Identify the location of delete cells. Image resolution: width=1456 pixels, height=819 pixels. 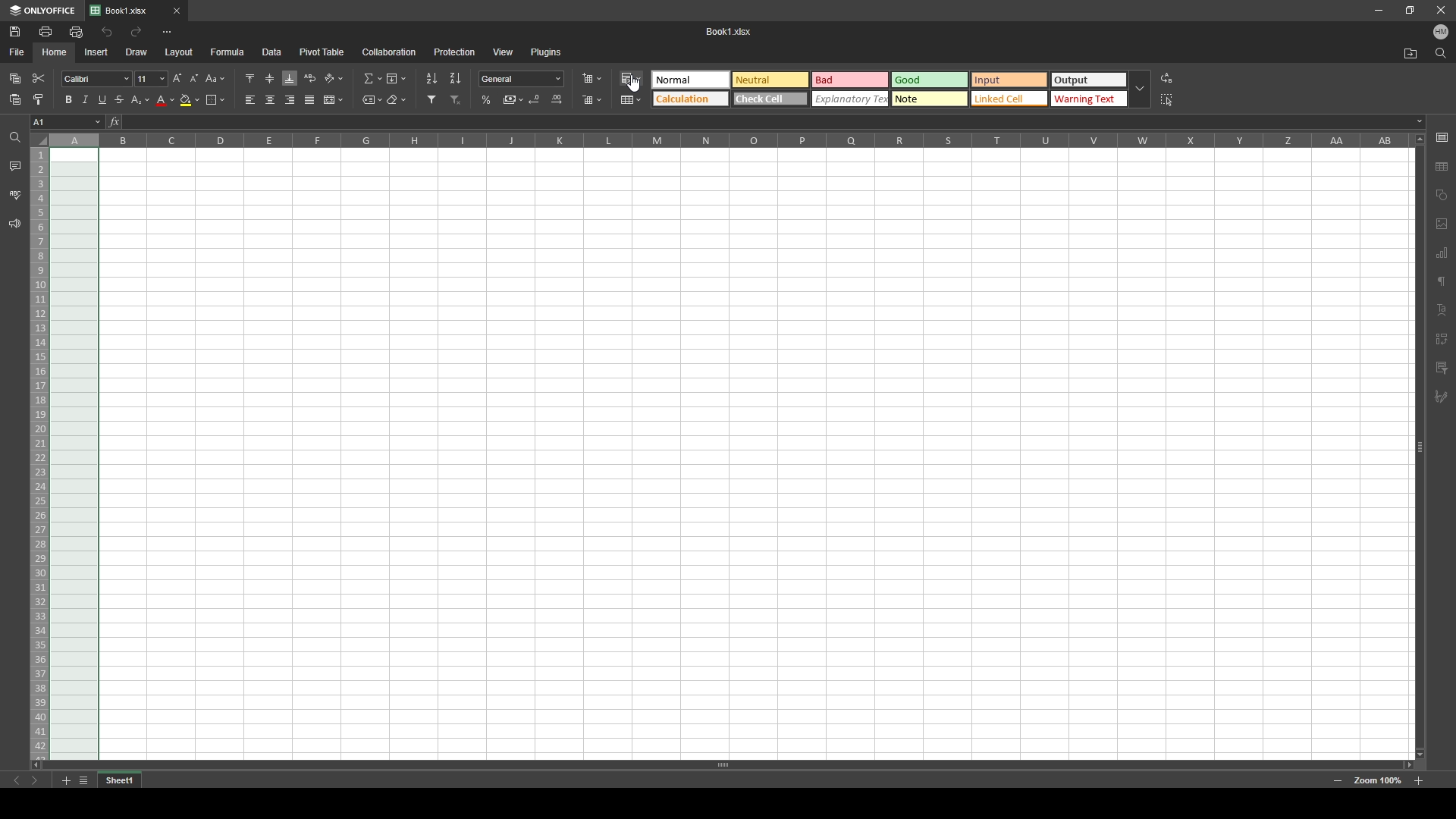
(591, 100).